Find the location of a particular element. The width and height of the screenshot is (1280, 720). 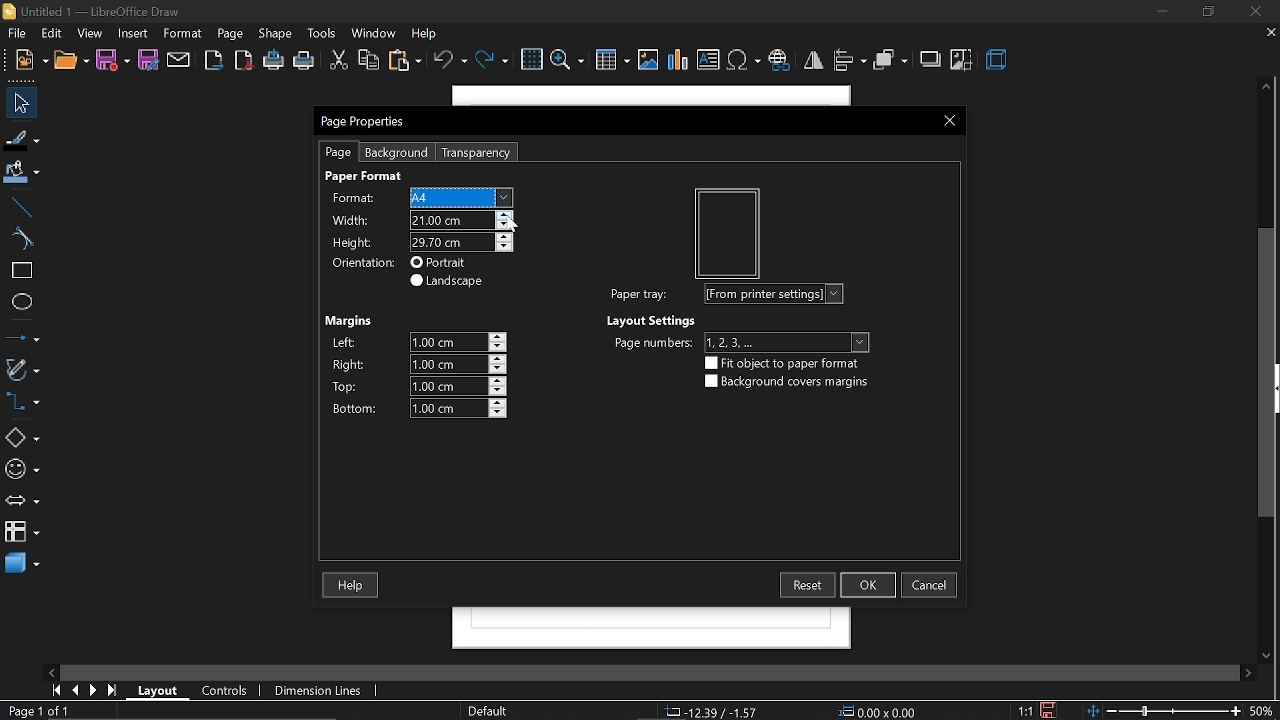

zoom is located at coordinates (567, 60).